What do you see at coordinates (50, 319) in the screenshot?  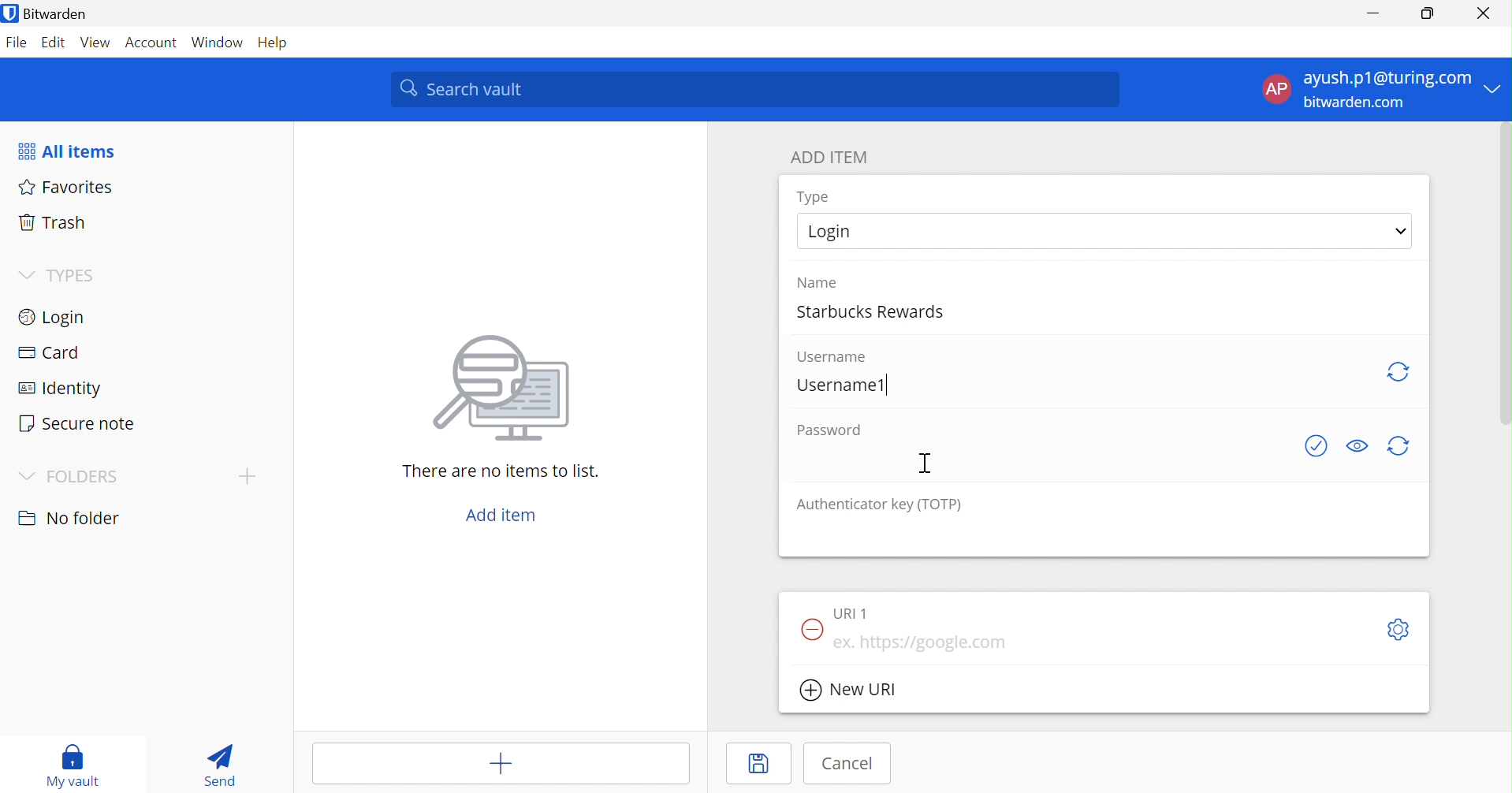 I see `Login` at bounding box center [50, 319].